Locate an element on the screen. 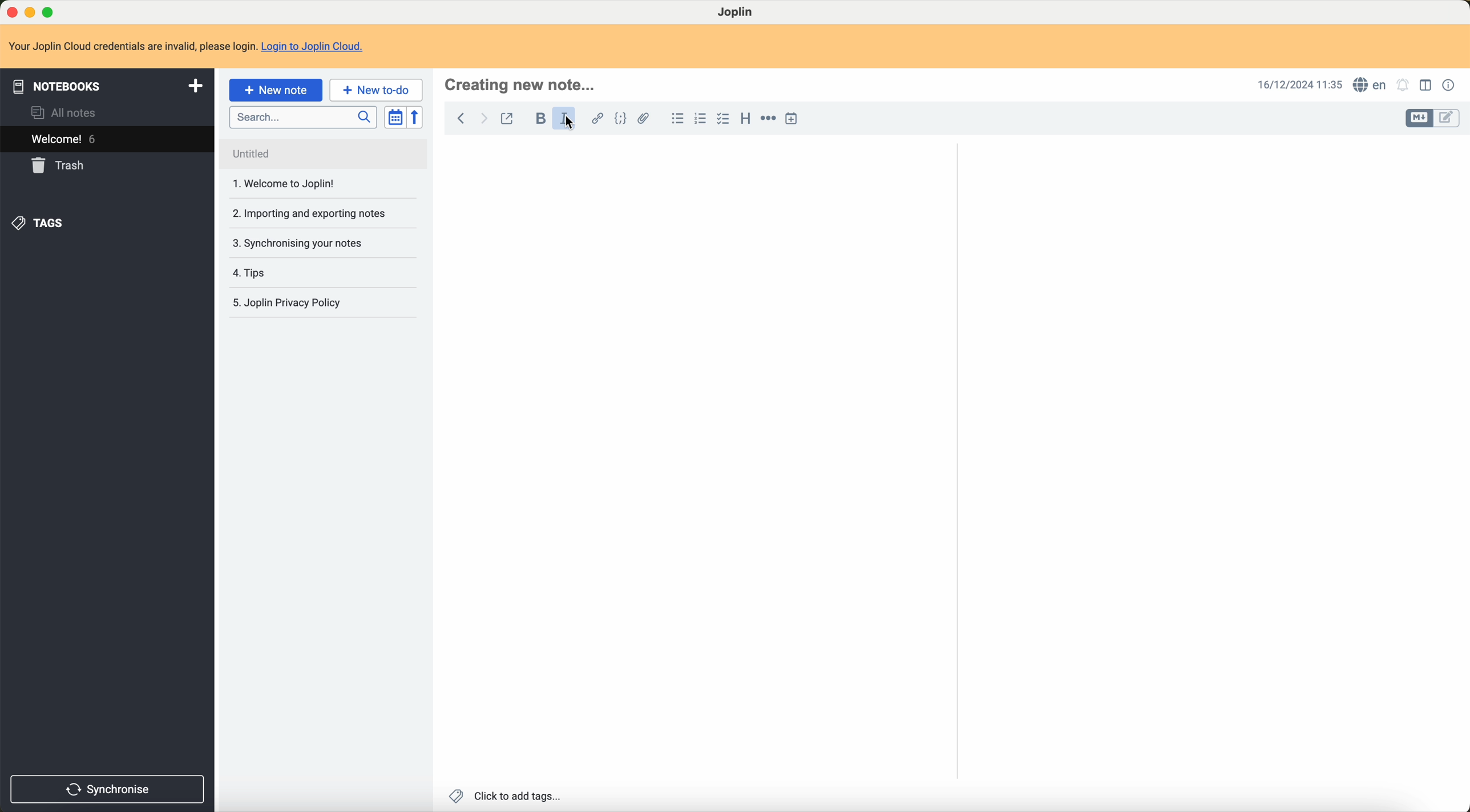  italic is located at coordinates (565, 117).